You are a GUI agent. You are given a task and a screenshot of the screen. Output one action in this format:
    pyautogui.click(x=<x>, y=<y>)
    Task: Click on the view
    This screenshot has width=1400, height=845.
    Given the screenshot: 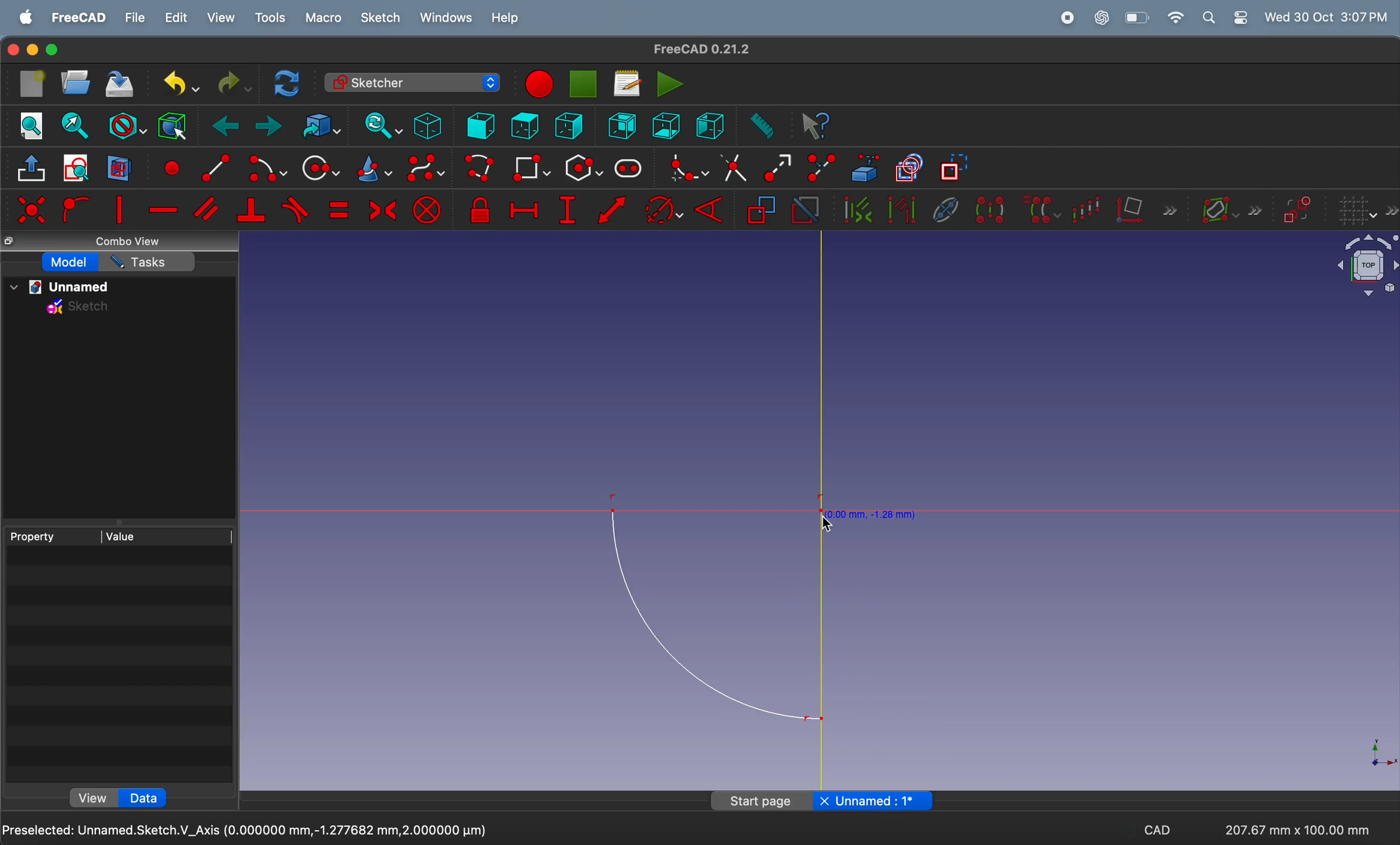 What is the action you would take?
    pyautogui.click(x=221, y=18)
    